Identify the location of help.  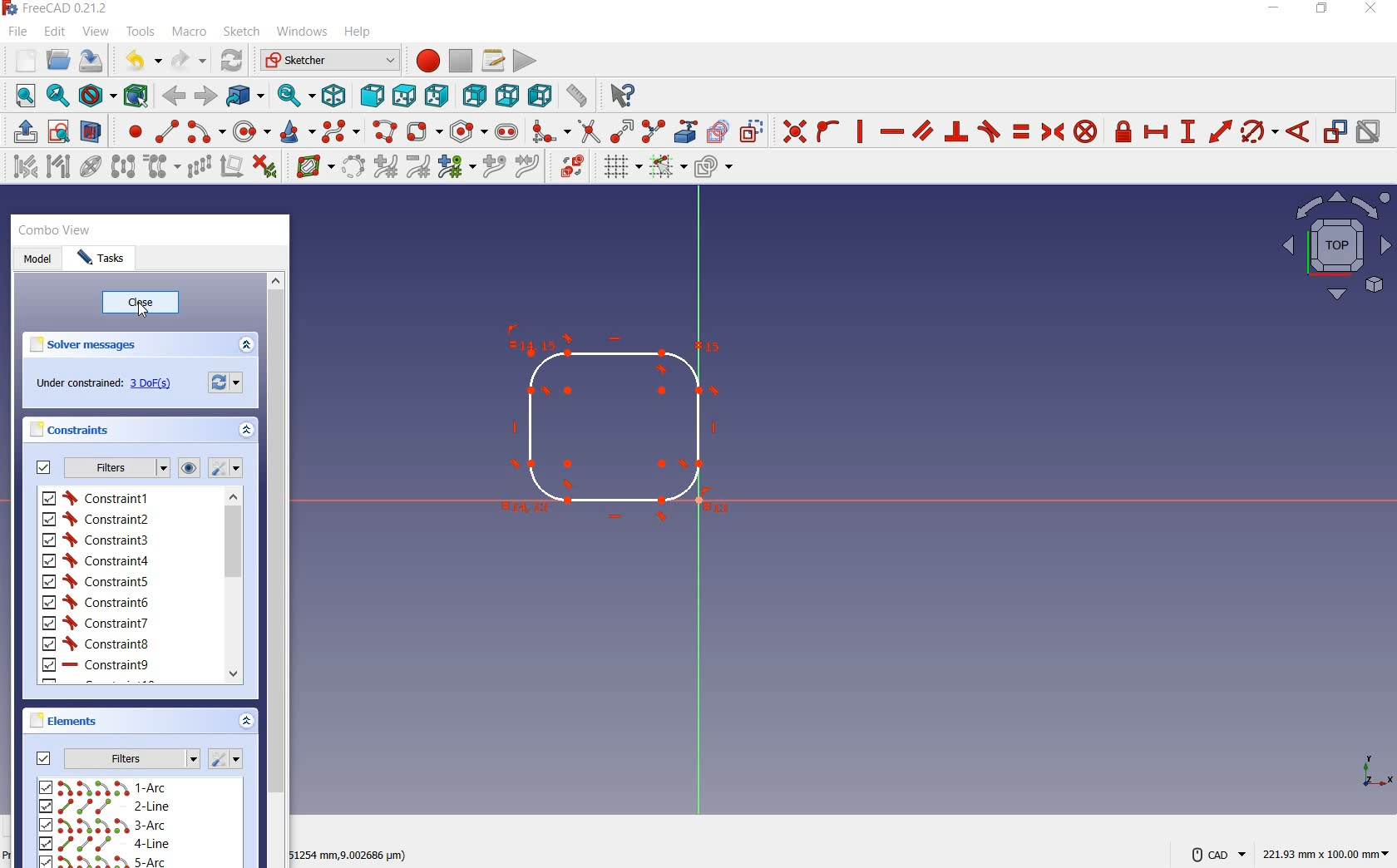
(358, 32).